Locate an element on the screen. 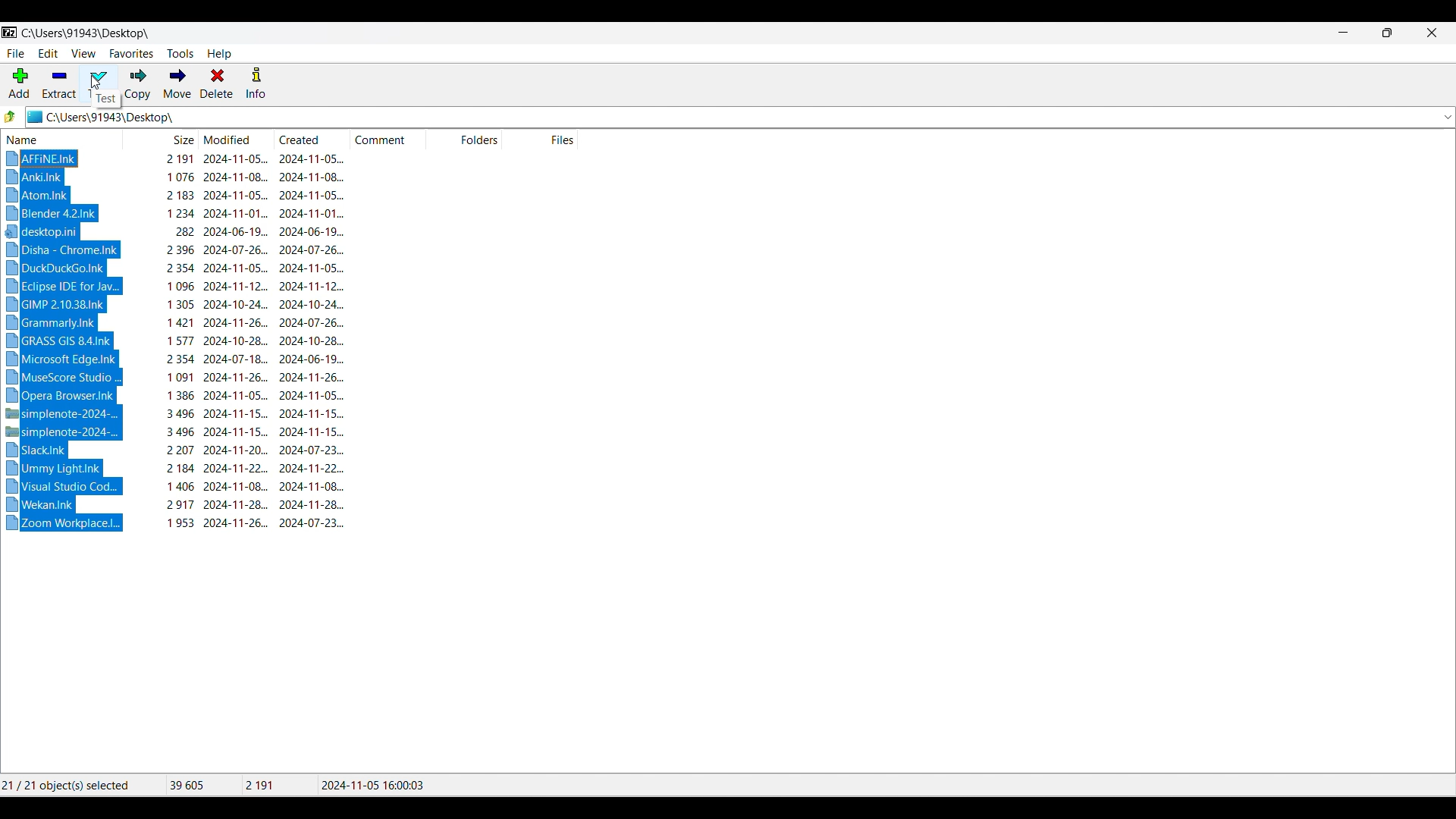  Close interface is located at coordinates (1432, 33).